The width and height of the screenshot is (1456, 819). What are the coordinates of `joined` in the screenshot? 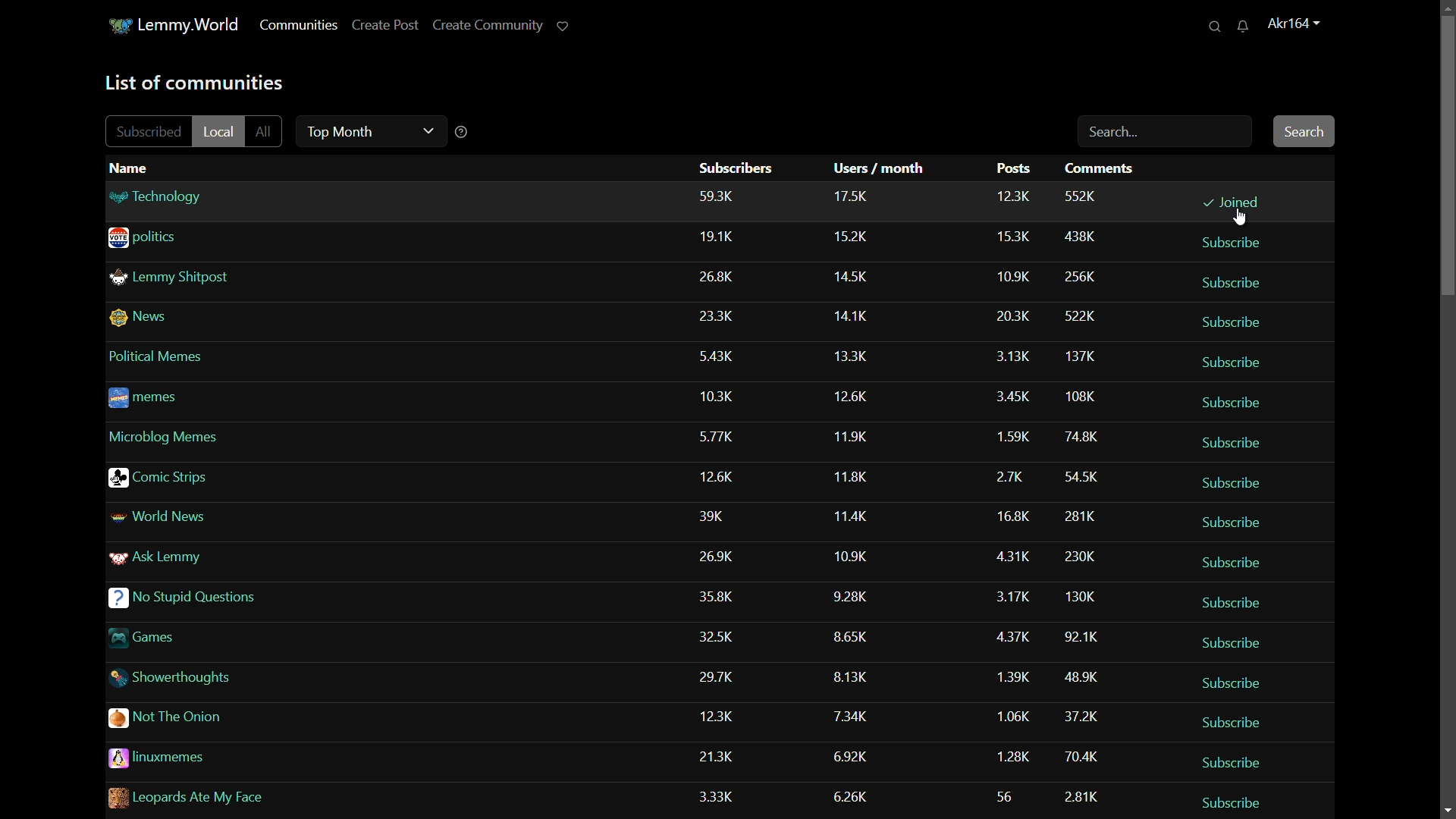 It's located at (1232, 202).